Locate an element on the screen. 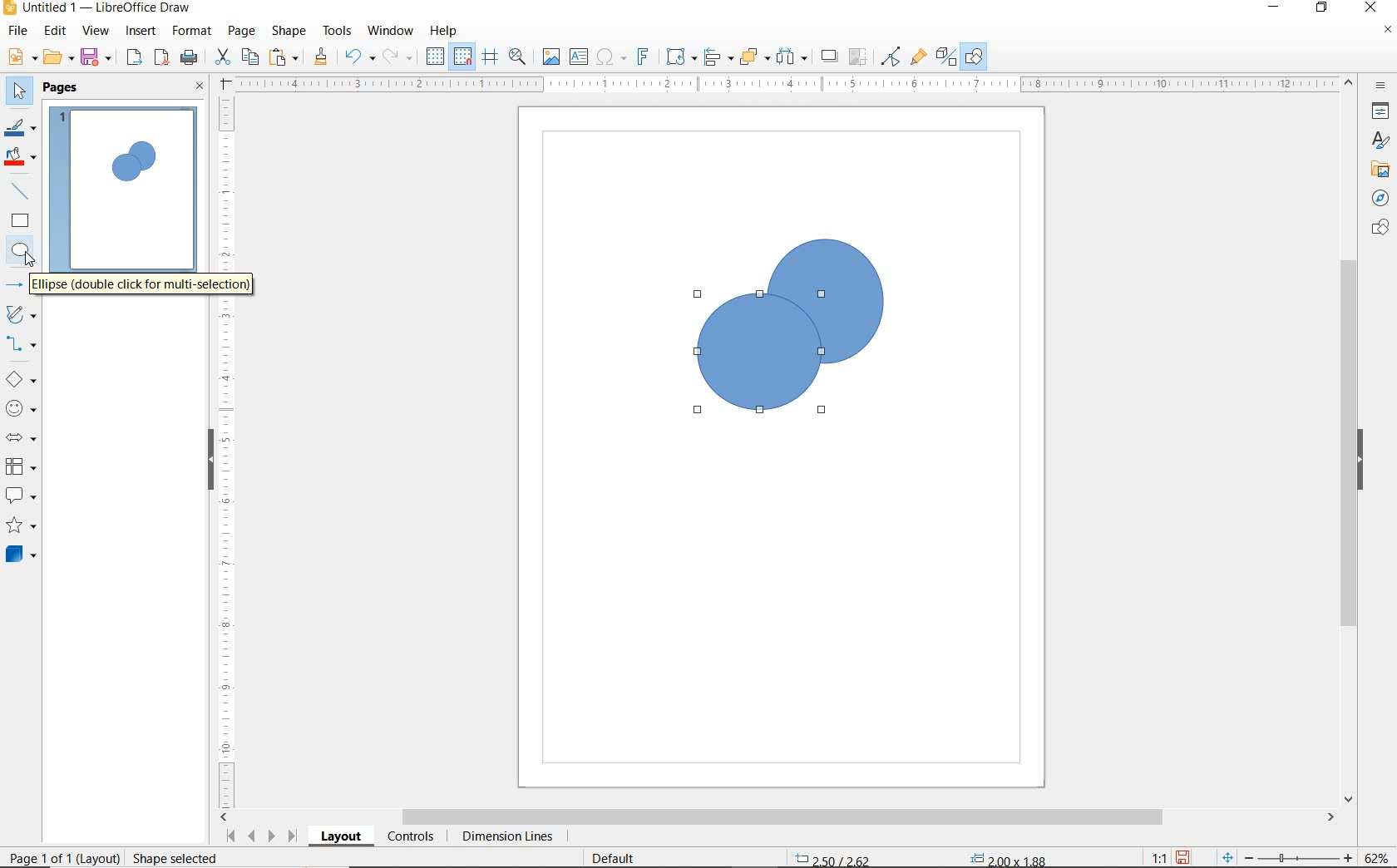 This screenshot has height=868, width=1397. OPEN is located at coordinates (58, 59).